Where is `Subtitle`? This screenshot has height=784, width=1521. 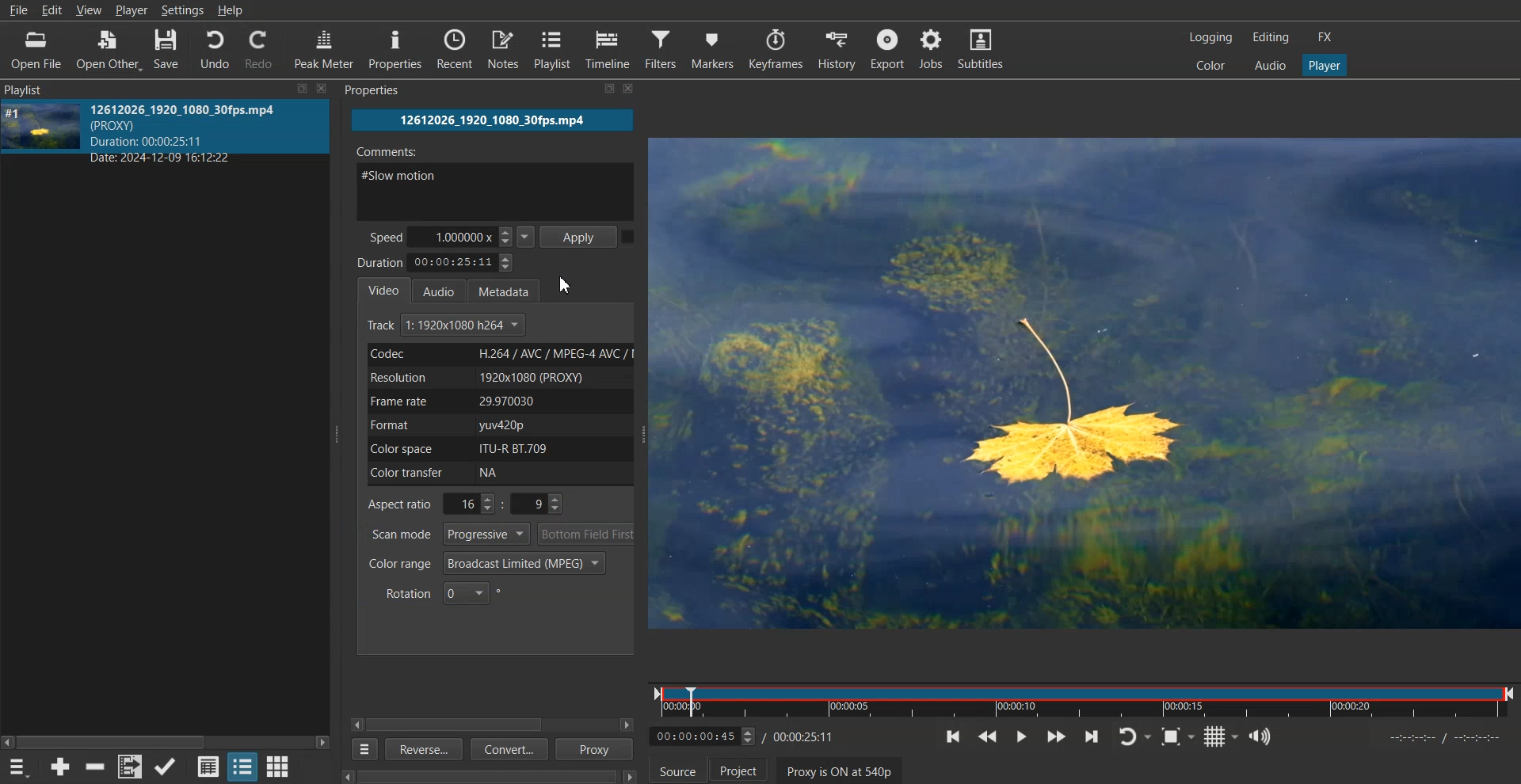
Subtitle is located at coordinates (985, 48).